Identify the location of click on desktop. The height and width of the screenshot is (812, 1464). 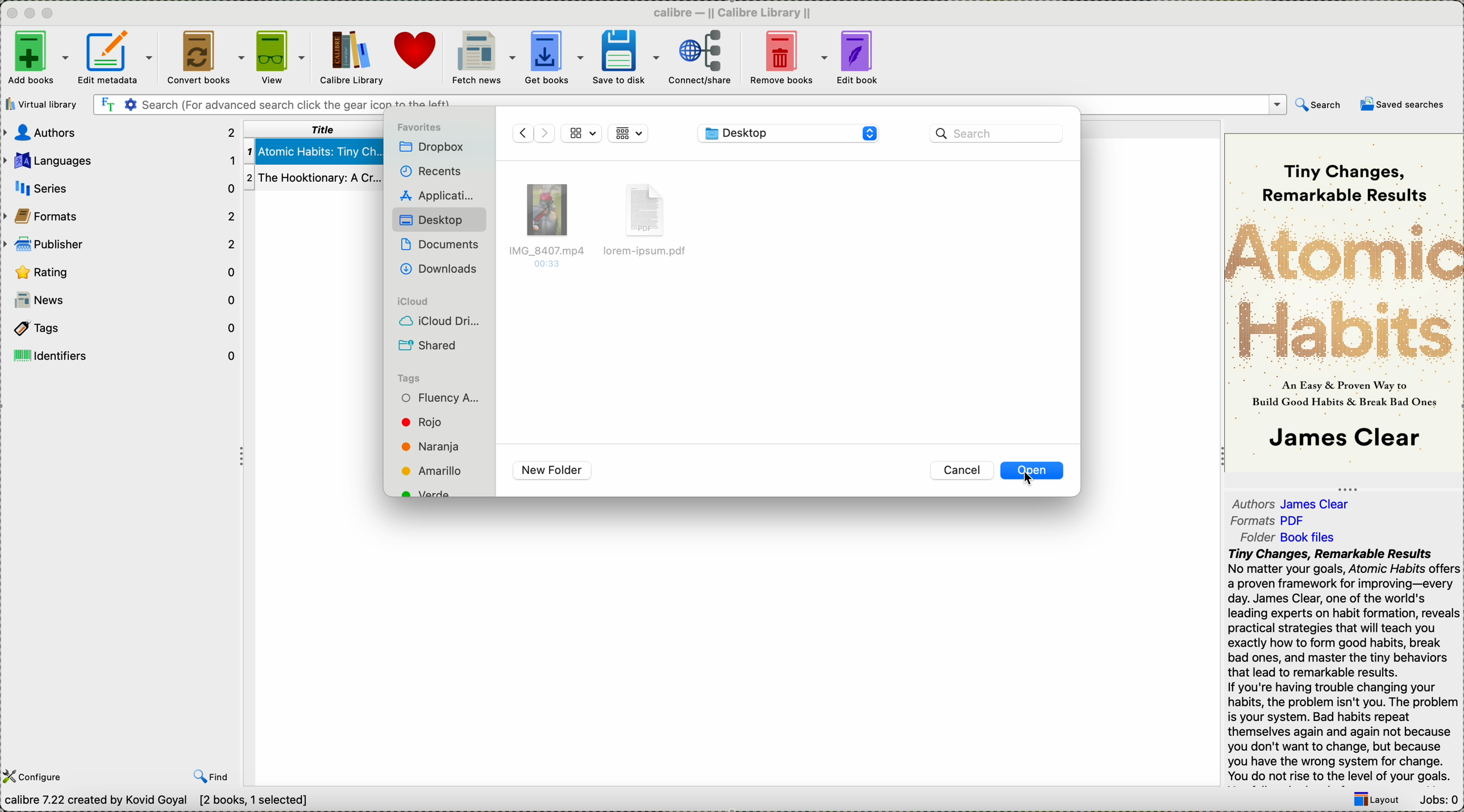
(440, 220).